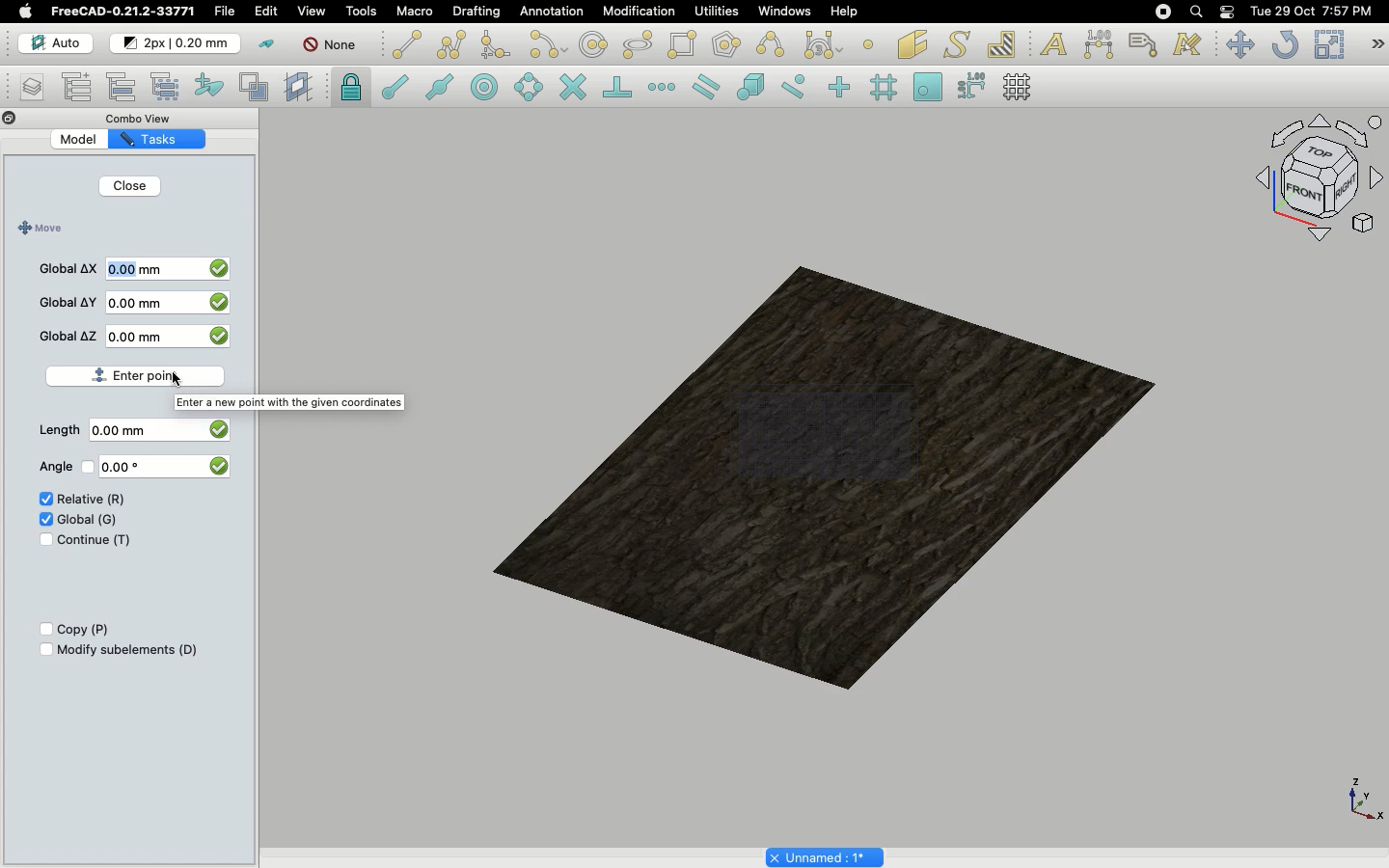 The width and height of the screenshot is (1389, 868). Describe the element at coordinates (620, 89) in the screenshot. I see `Snap perpendicular` at that location.